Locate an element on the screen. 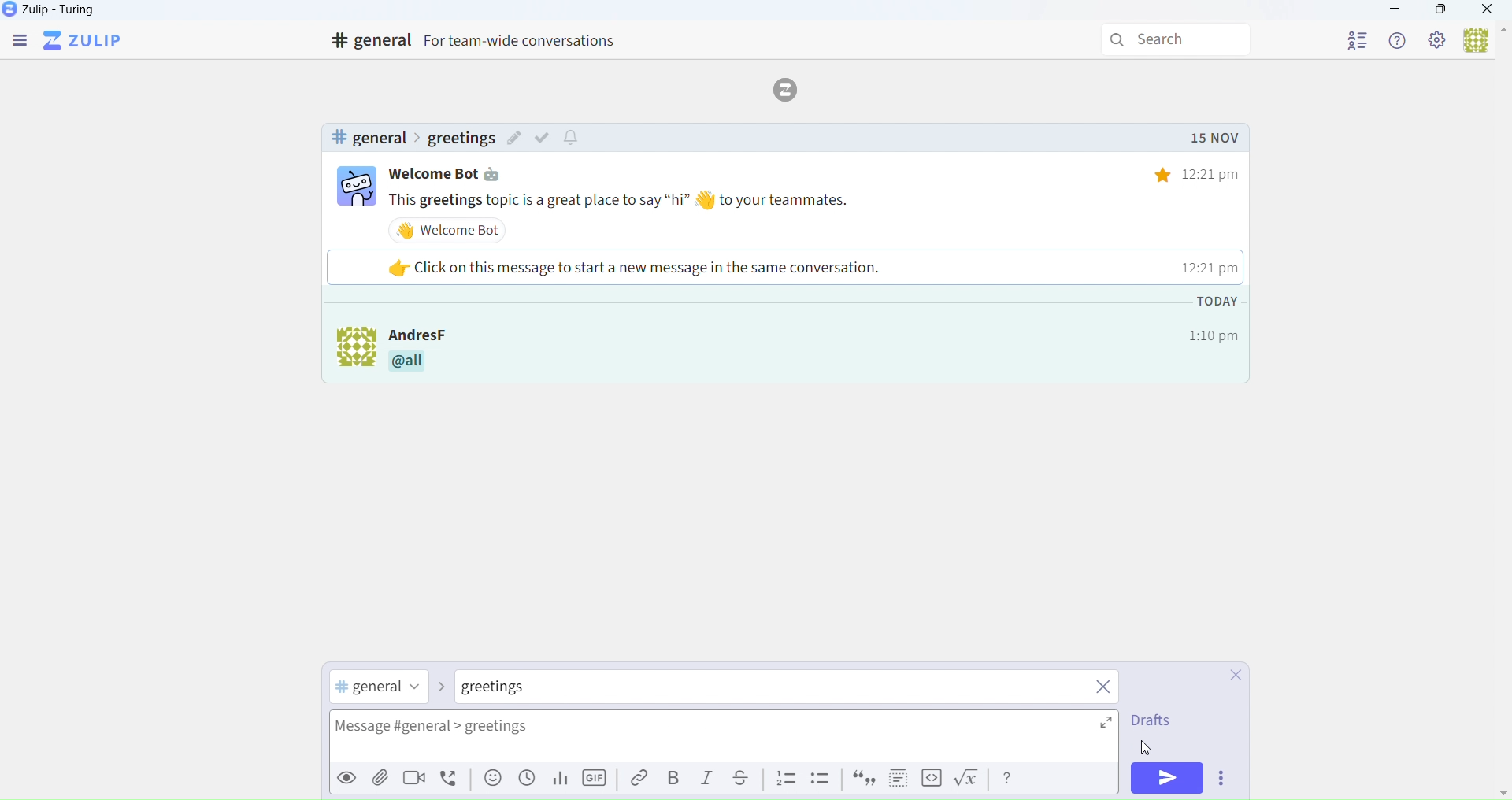 Image resolution: width=1512 pixels, height=800 pixels. Menu Bar is located at coordinates (18, 42).